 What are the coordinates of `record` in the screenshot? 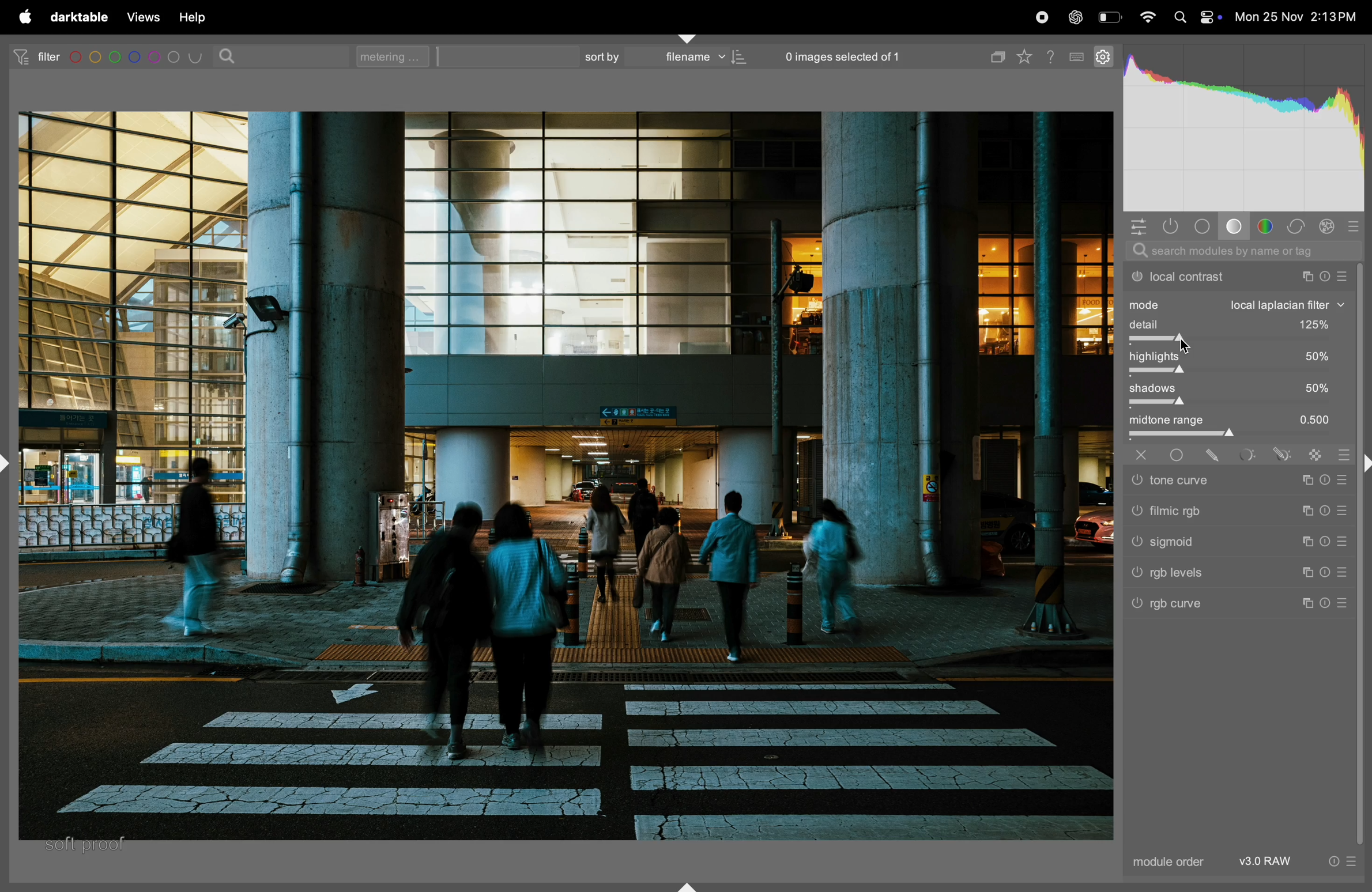 It's located at (1043, 17).